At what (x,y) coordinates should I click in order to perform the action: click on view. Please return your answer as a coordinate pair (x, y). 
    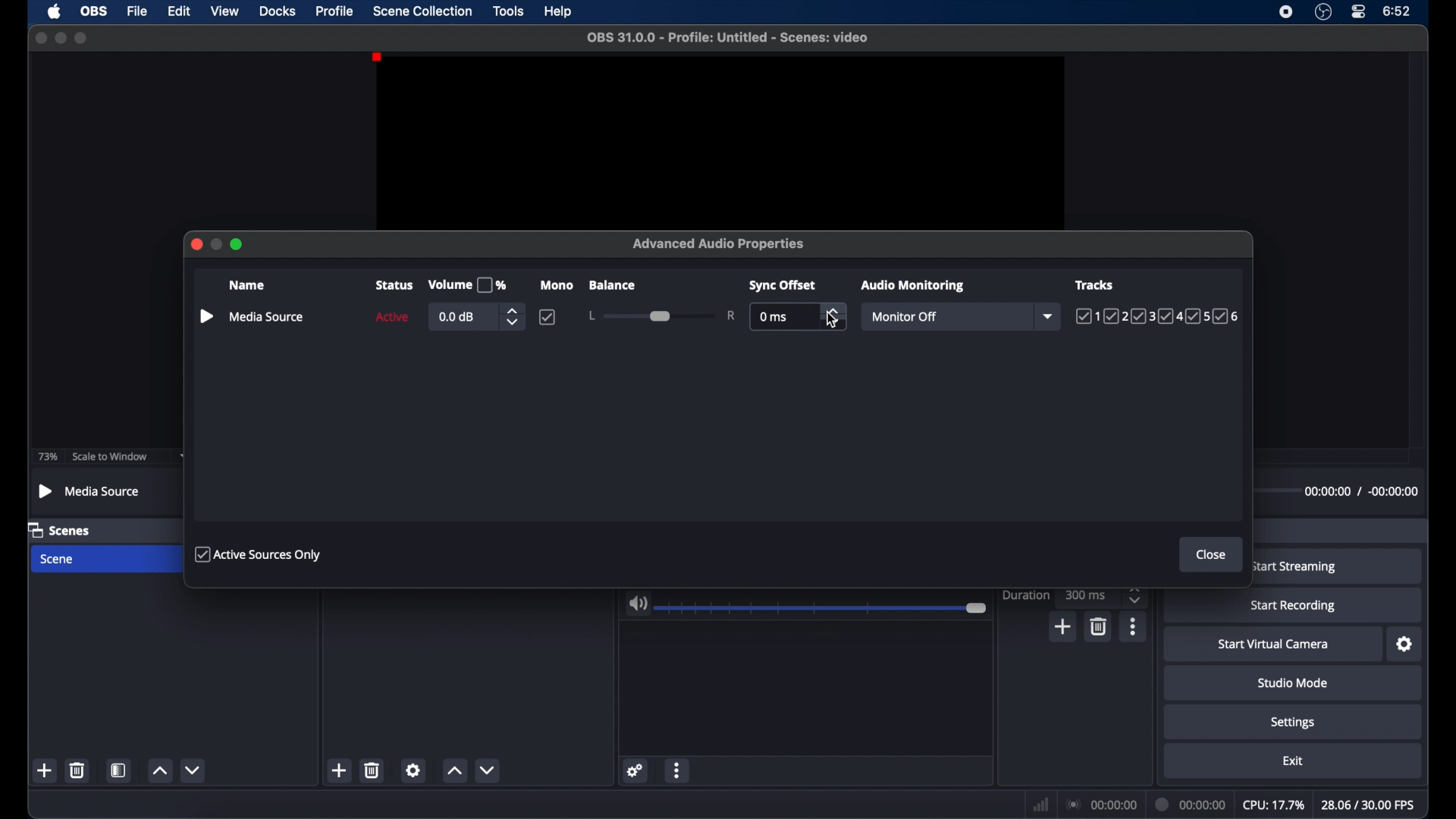
    Looking at the image, I should click on (224, 11).